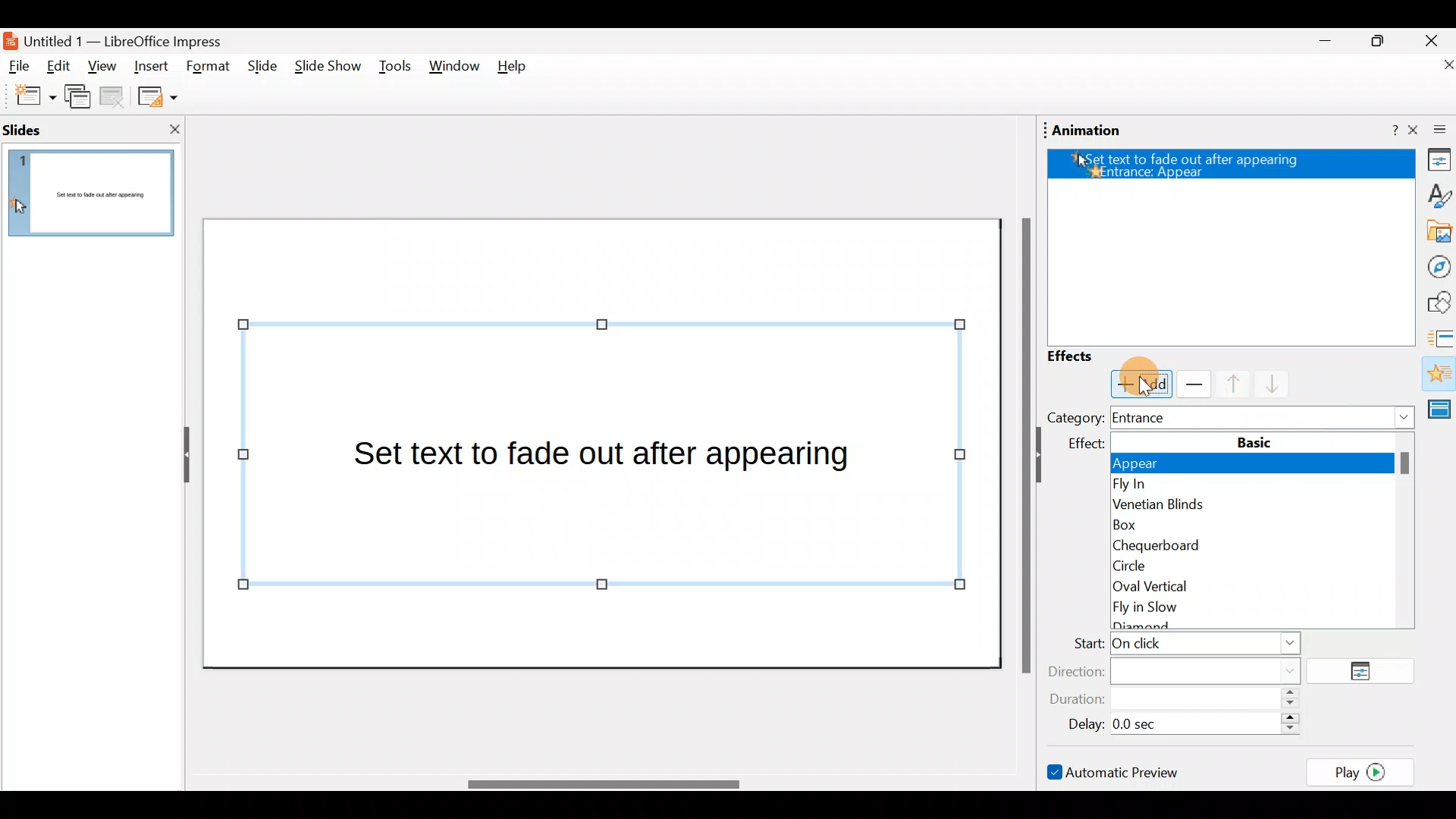 This screenshot has height=819, width=1456. Describe the element at coordinates (209, 67) in the screenshot. I see `Format` at that location.